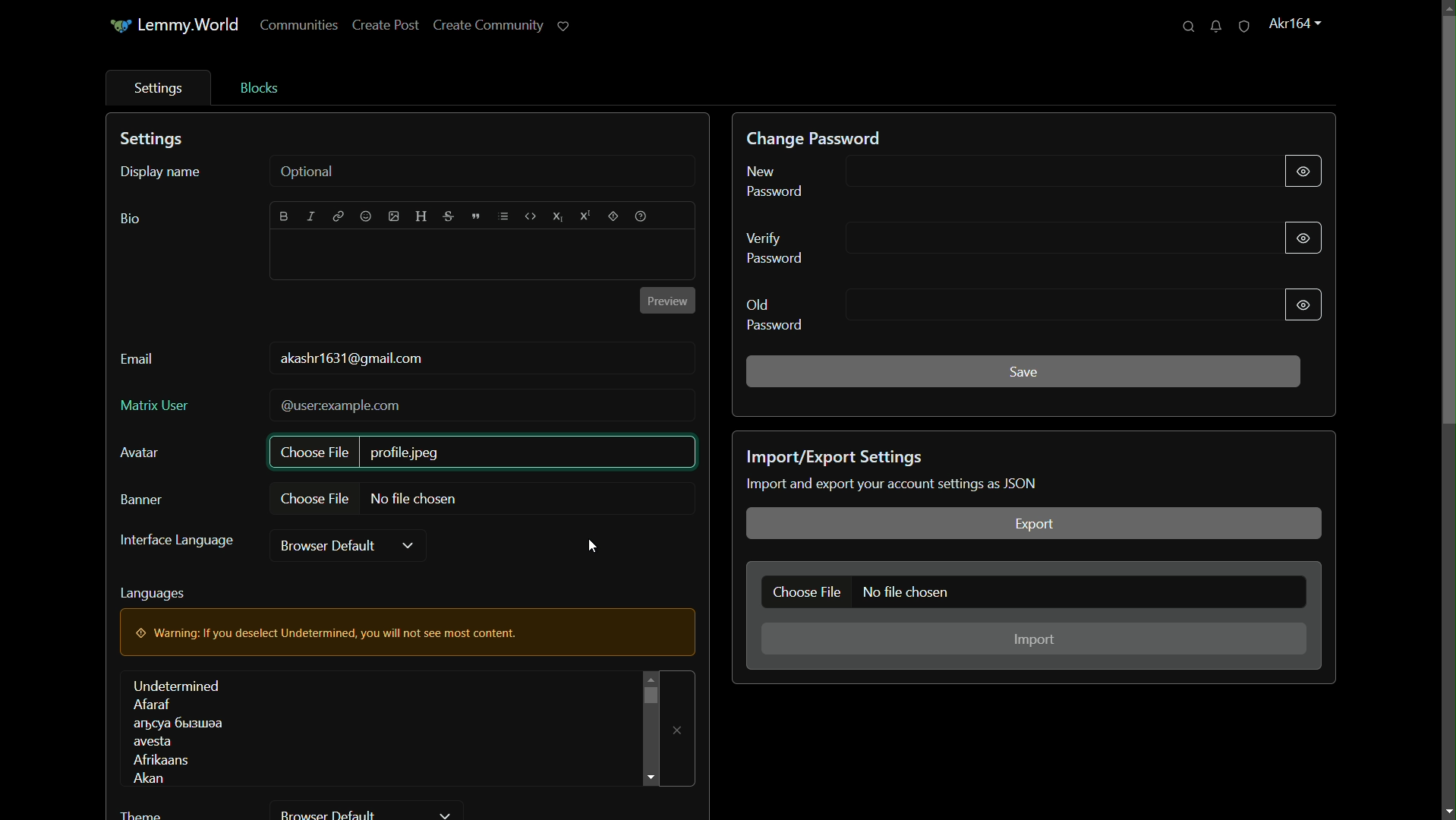 This screenshot has height=820, width=1456. What do you see at coordinates (1046, 174) in the screenshot?
I see `new password input bar` at bounding box center [1046, 174].